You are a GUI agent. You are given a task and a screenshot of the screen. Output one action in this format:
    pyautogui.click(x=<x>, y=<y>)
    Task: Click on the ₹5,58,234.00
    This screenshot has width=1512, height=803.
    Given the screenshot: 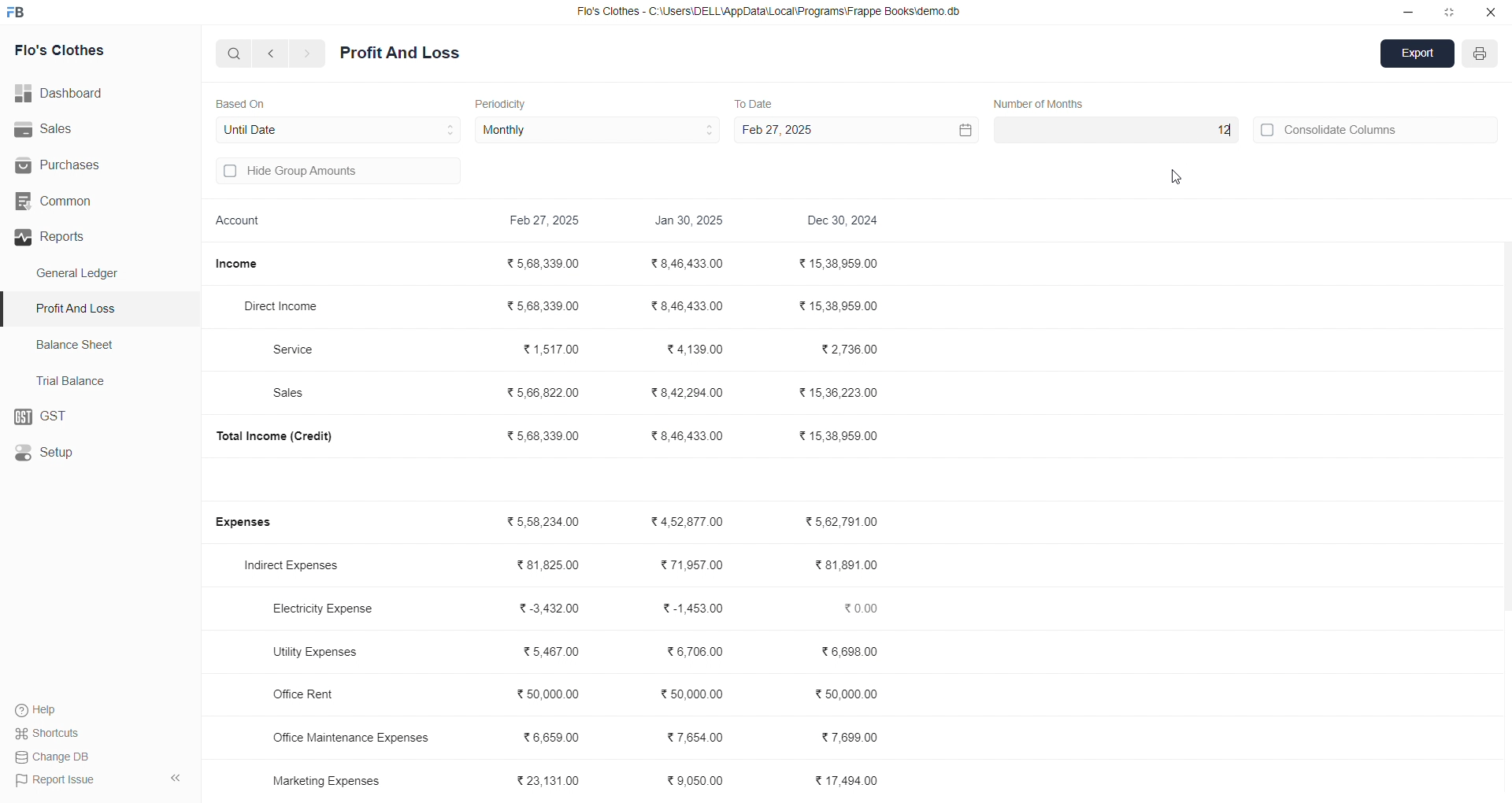 What is the action you would take?
    pyautogui.click(x=547, y=522)
    